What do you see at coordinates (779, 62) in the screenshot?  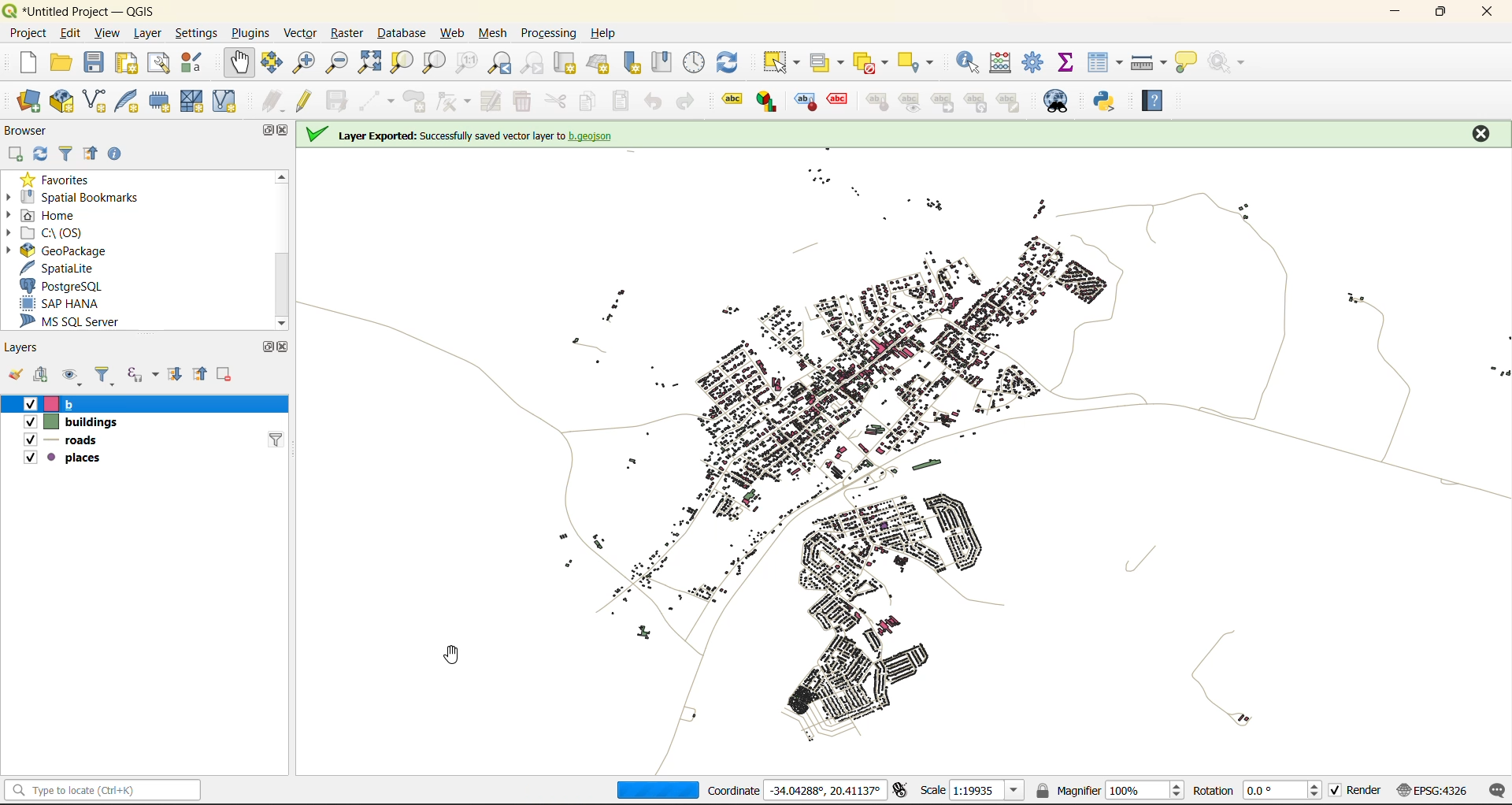 I see `select` at bounding box center [779, 62].